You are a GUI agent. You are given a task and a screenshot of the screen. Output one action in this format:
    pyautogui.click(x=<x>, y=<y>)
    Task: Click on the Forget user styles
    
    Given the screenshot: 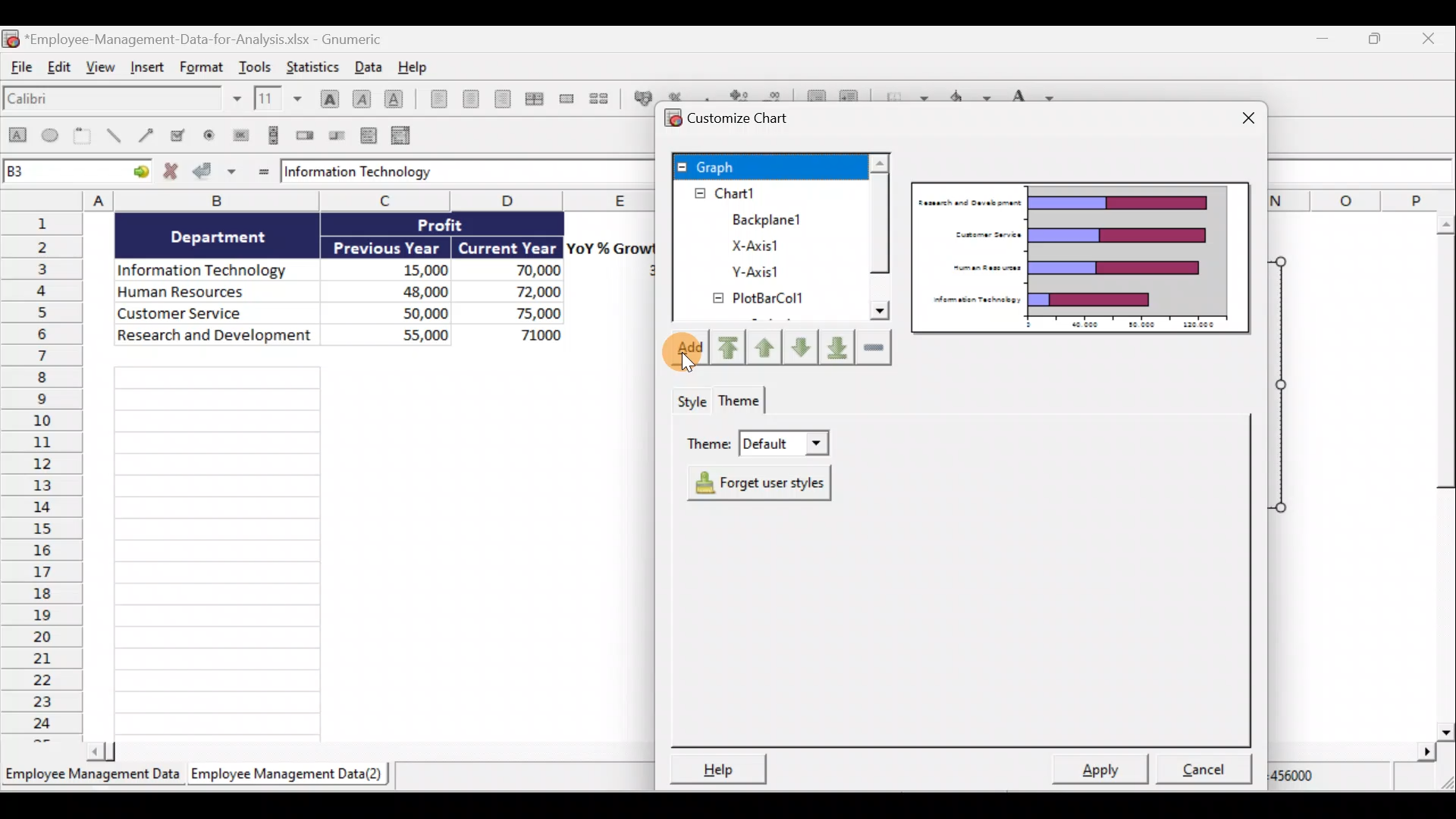 What is the action you would take?
    pyautogui.click(x=754, y=481)
    